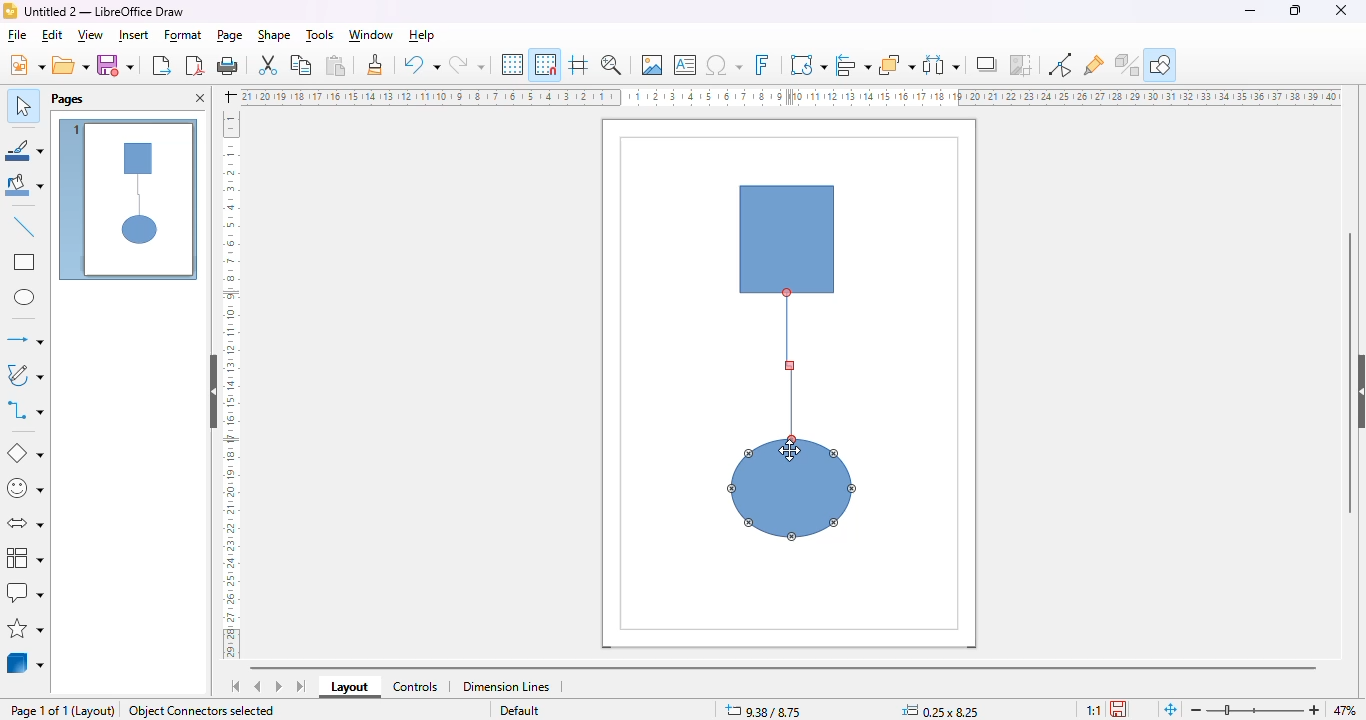 The image size is (1366, 720). What do you see at coordinates (416, 687) in the screenshot?
I see `controls` at bounding box center [416, 687].